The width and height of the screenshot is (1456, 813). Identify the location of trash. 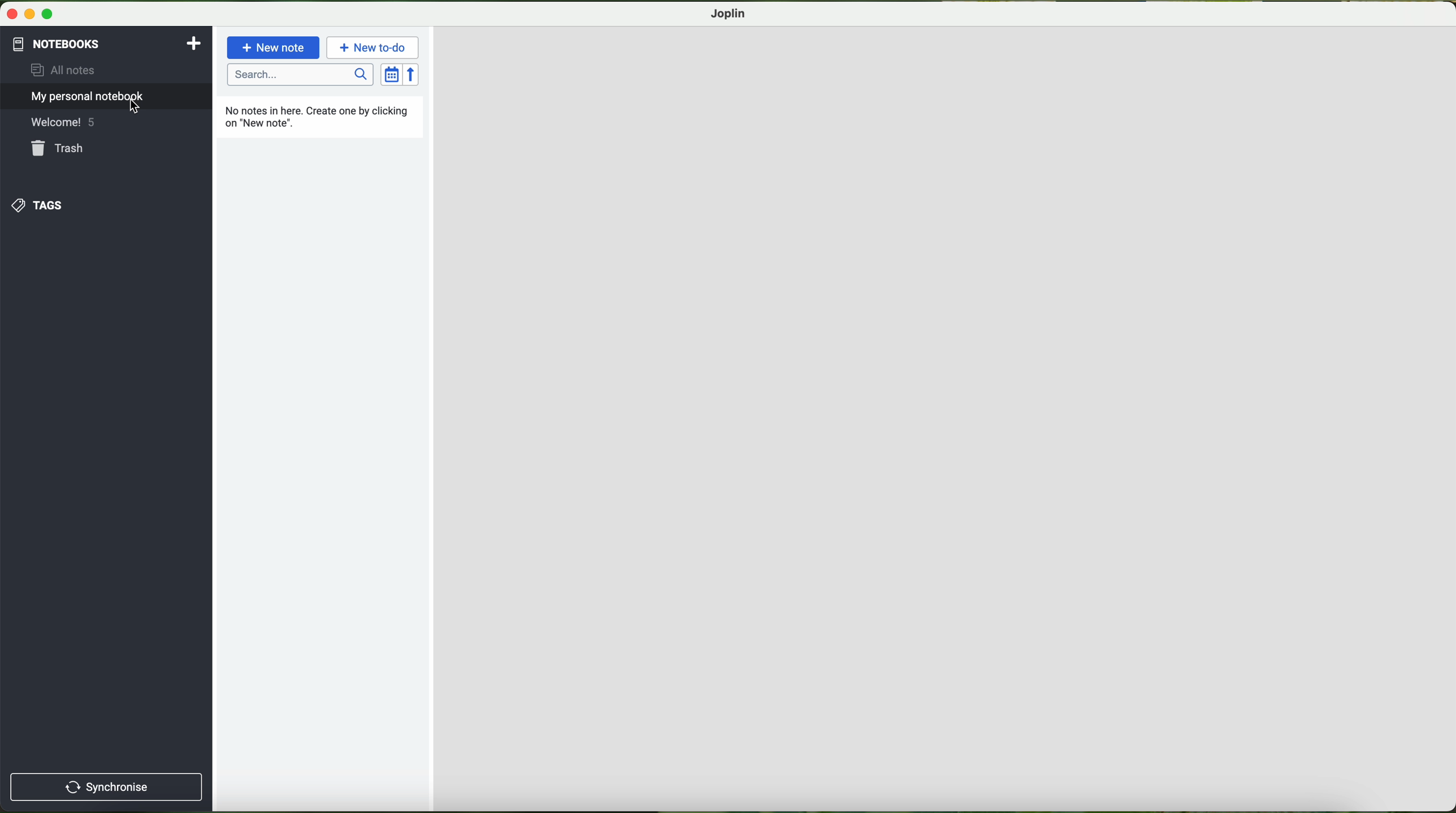
(58, 150).